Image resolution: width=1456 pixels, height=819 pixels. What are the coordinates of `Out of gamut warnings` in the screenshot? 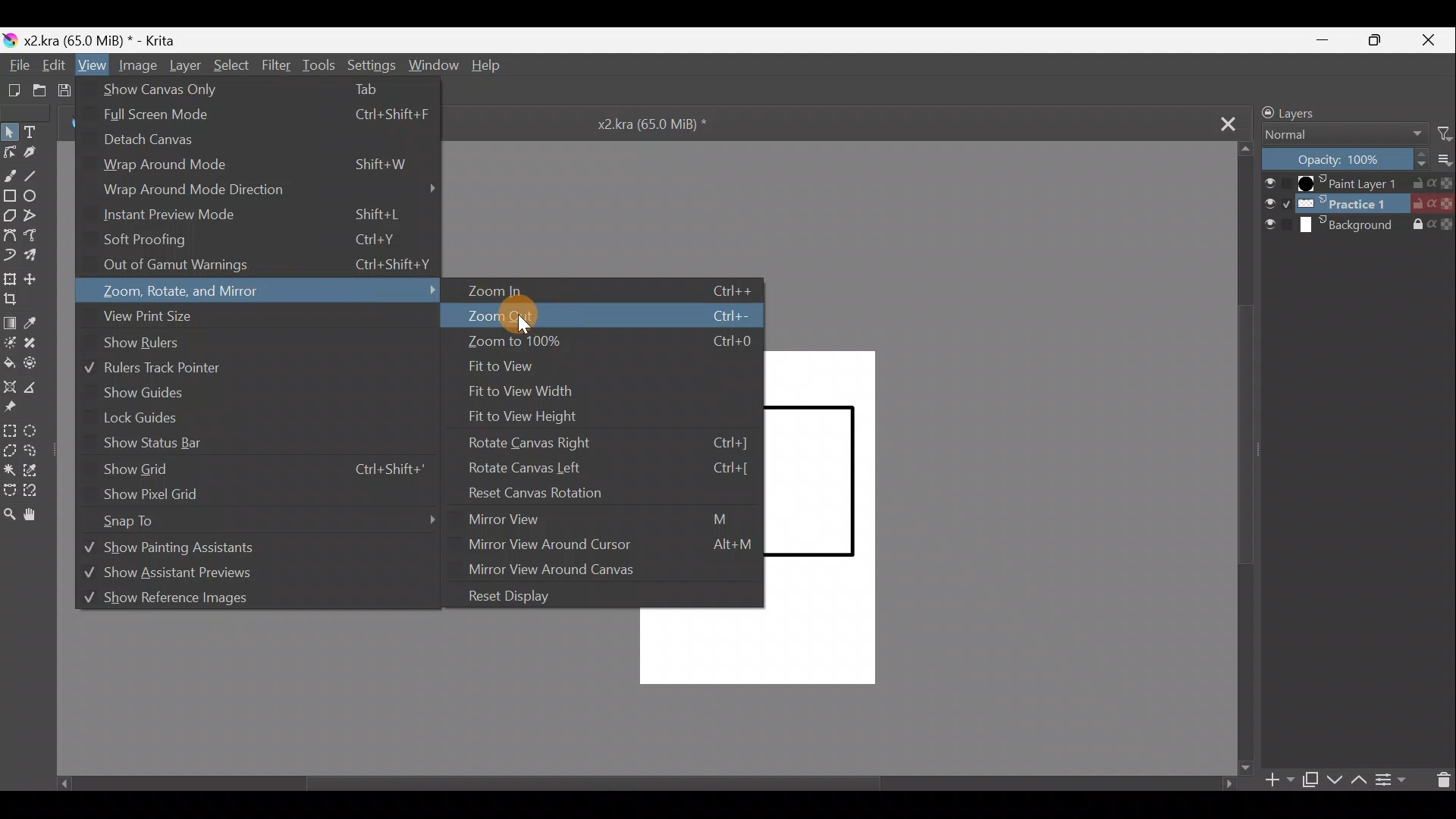 It's located at (269, 267).